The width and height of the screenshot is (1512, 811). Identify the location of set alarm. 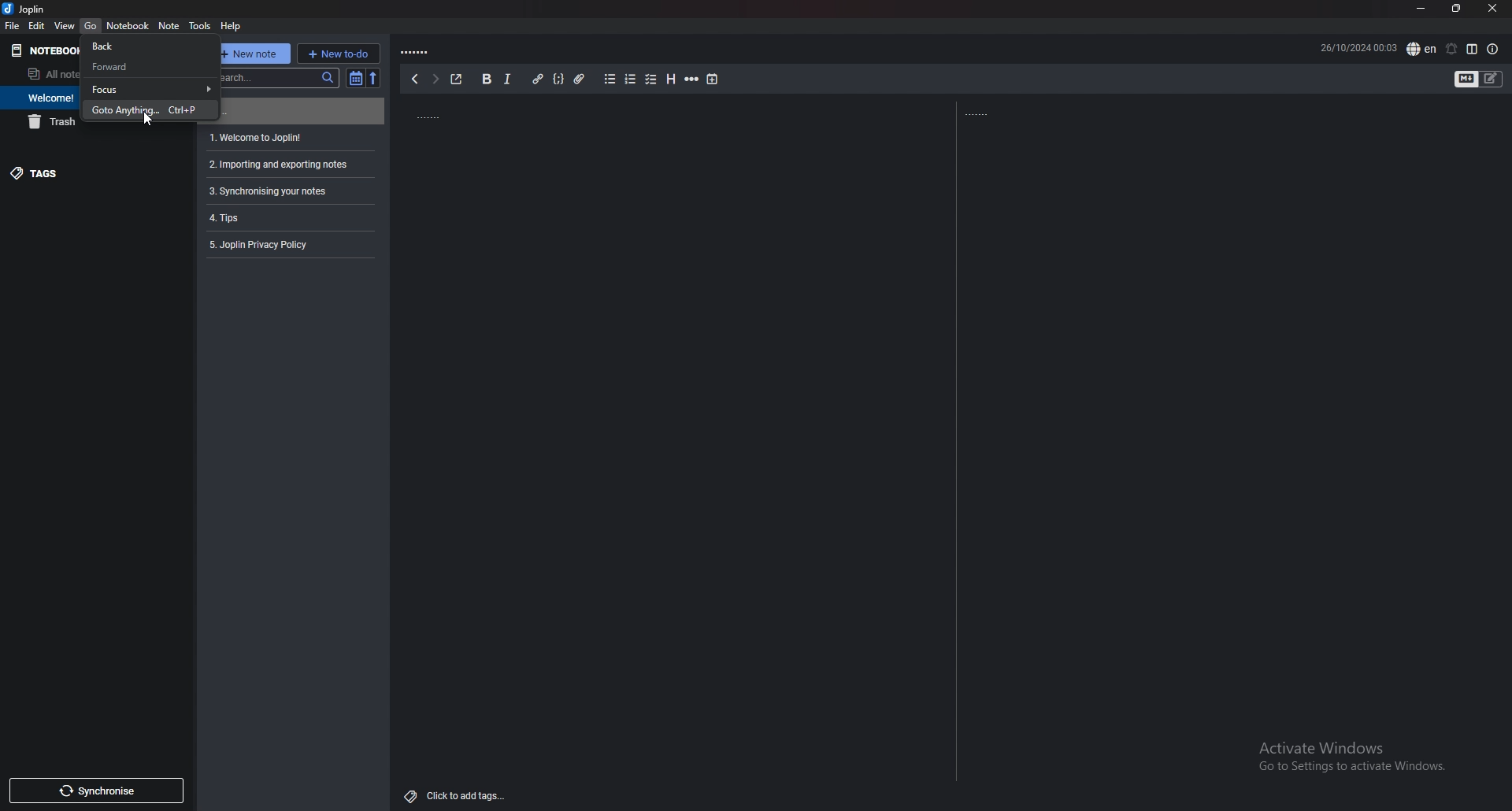
(1451, 49).